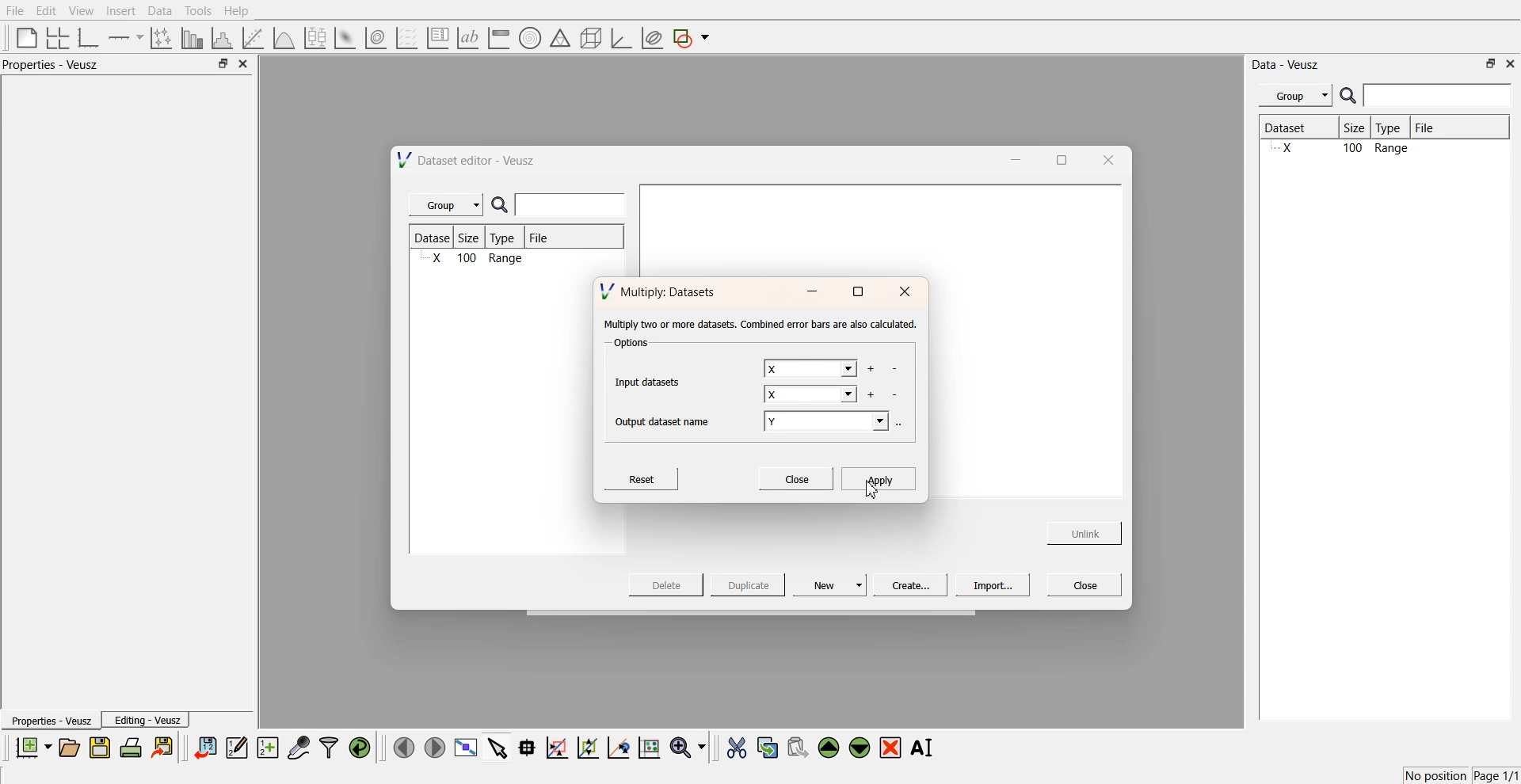 The image size is (1521, 784). What do you see at coordinates (344, 37) in the screenshot?
I see `plot a 2d datasets as image` at bounding box center [344, 37].